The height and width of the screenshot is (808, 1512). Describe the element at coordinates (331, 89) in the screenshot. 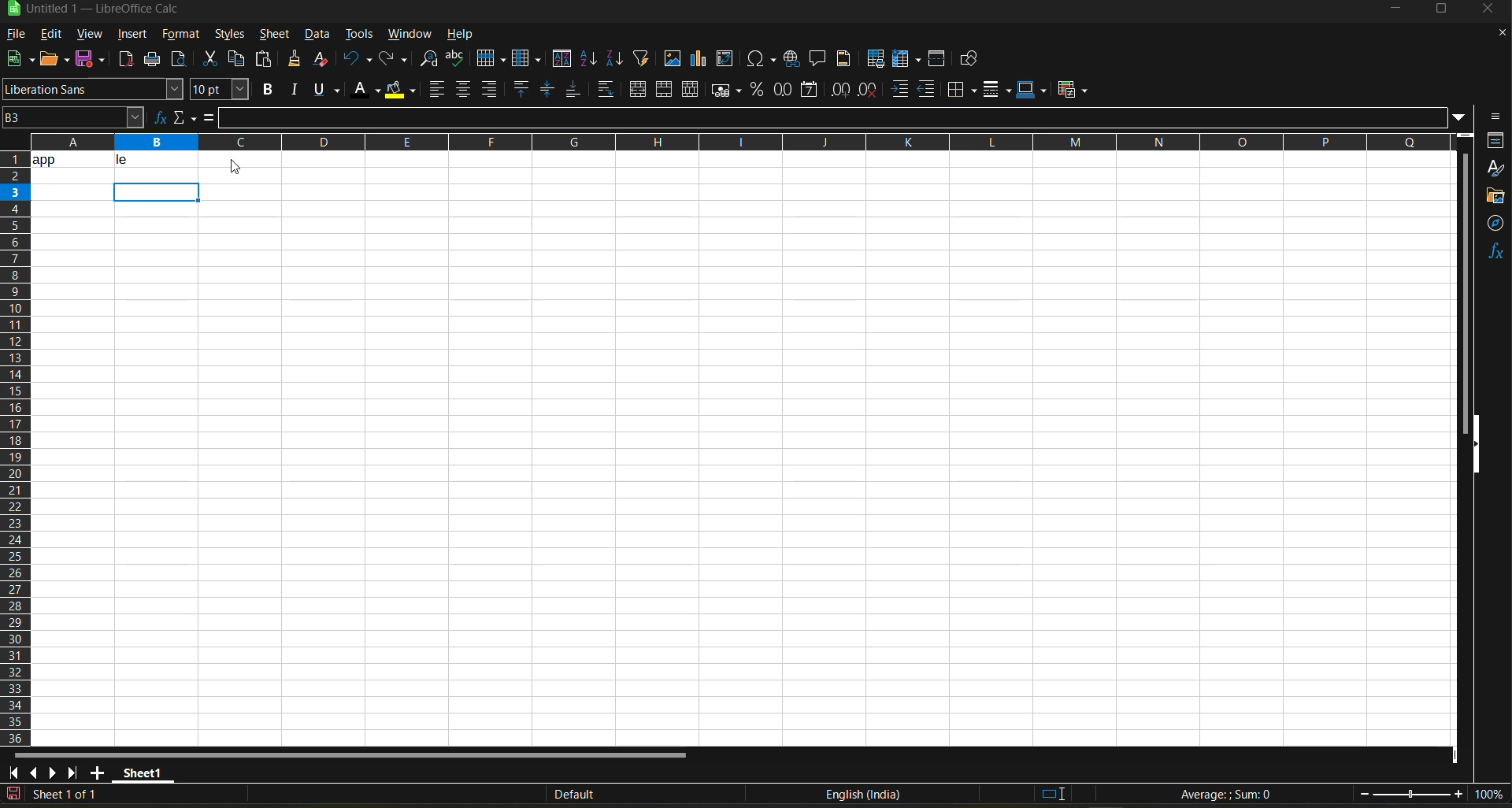

I see `underline` at that location.